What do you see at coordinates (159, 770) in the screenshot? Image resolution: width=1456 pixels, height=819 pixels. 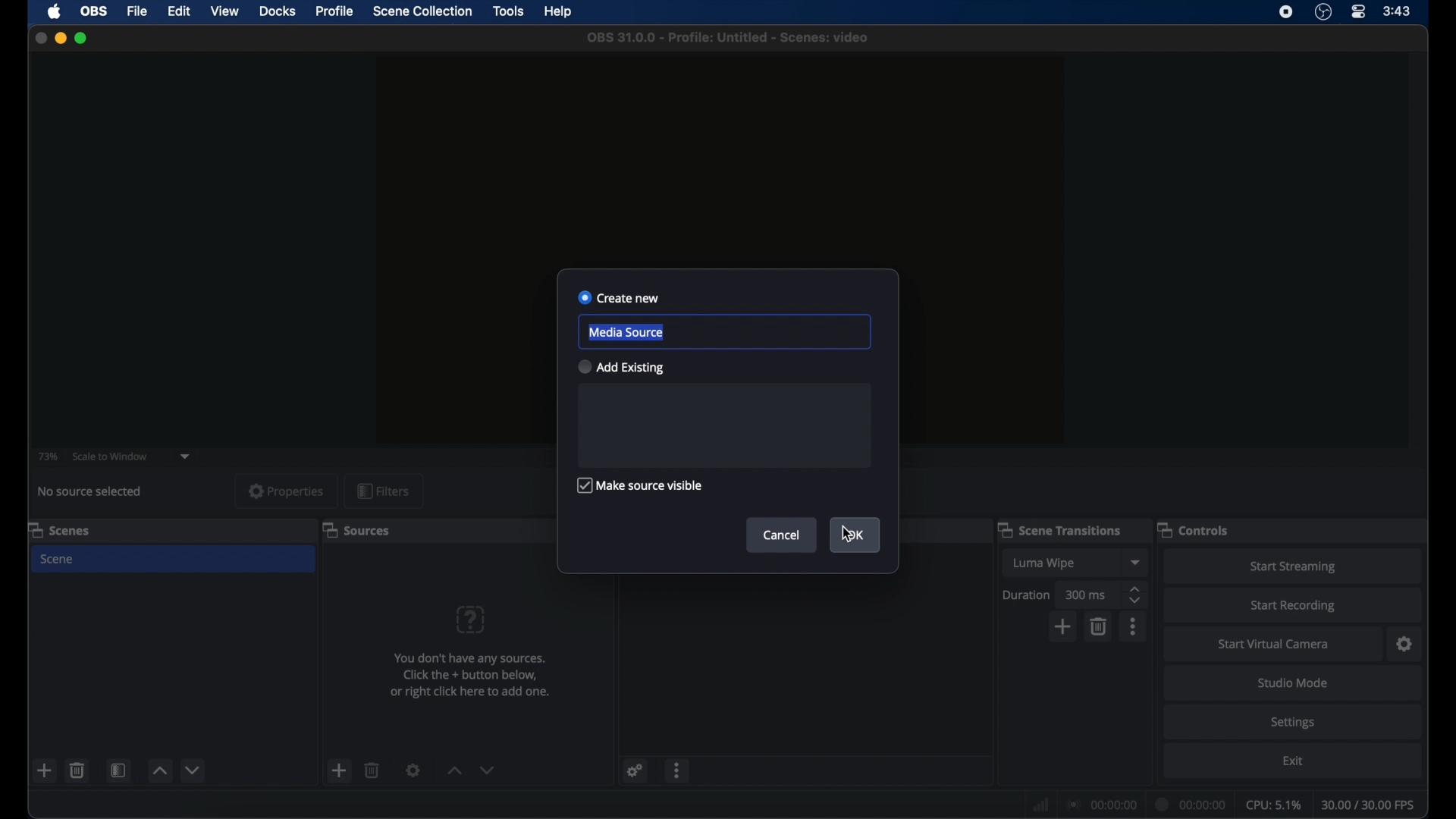 I see `increment` at bounding box center [159, 770].